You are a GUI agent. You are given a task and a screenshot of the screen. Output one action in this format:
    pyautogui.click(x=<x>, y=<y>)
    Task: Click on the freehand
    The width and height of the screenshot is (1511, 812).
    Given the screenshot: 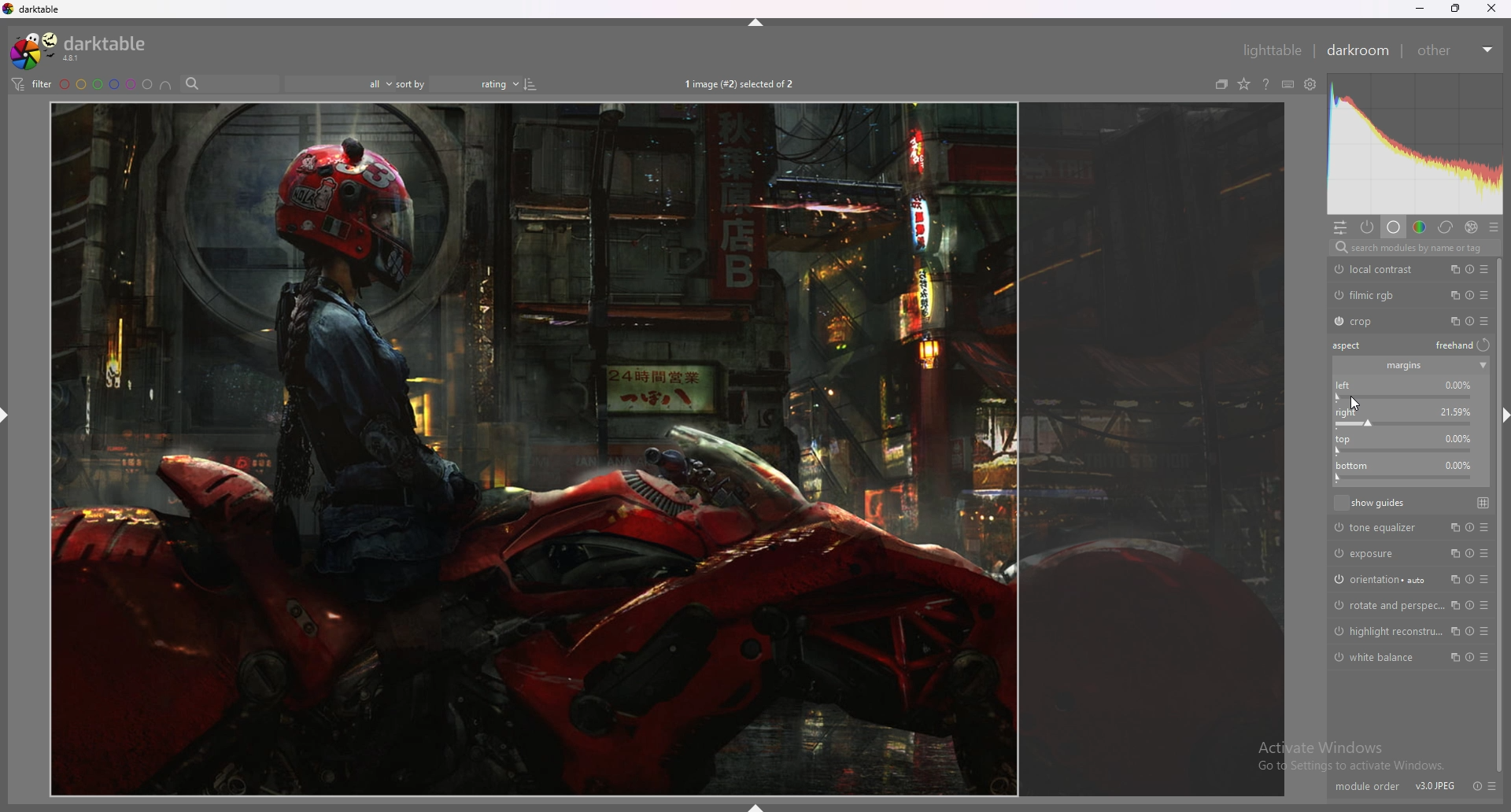 What is the action you would take?
    pyautogui.click(x=1465, y=346)
    